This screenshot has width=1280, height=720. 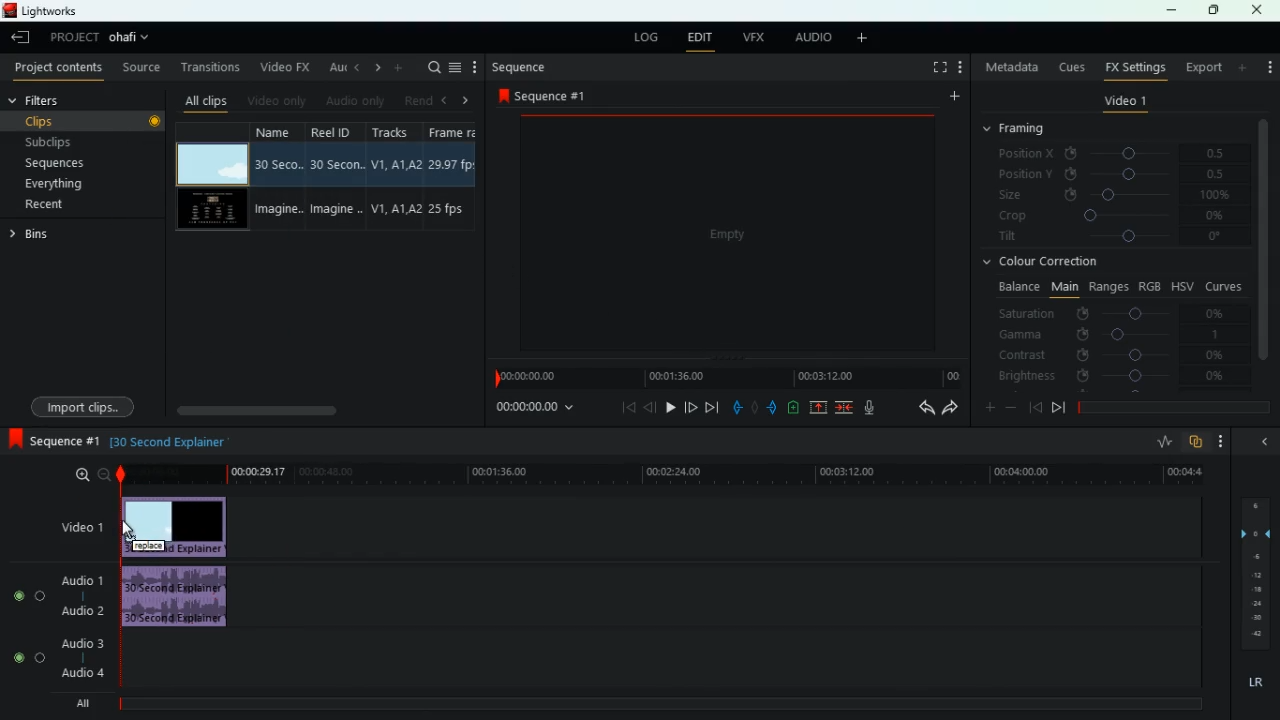 What do you see at coordinates (1121, 173) in the screenshot?
I see `position y` at bounding box center [1121, 173].